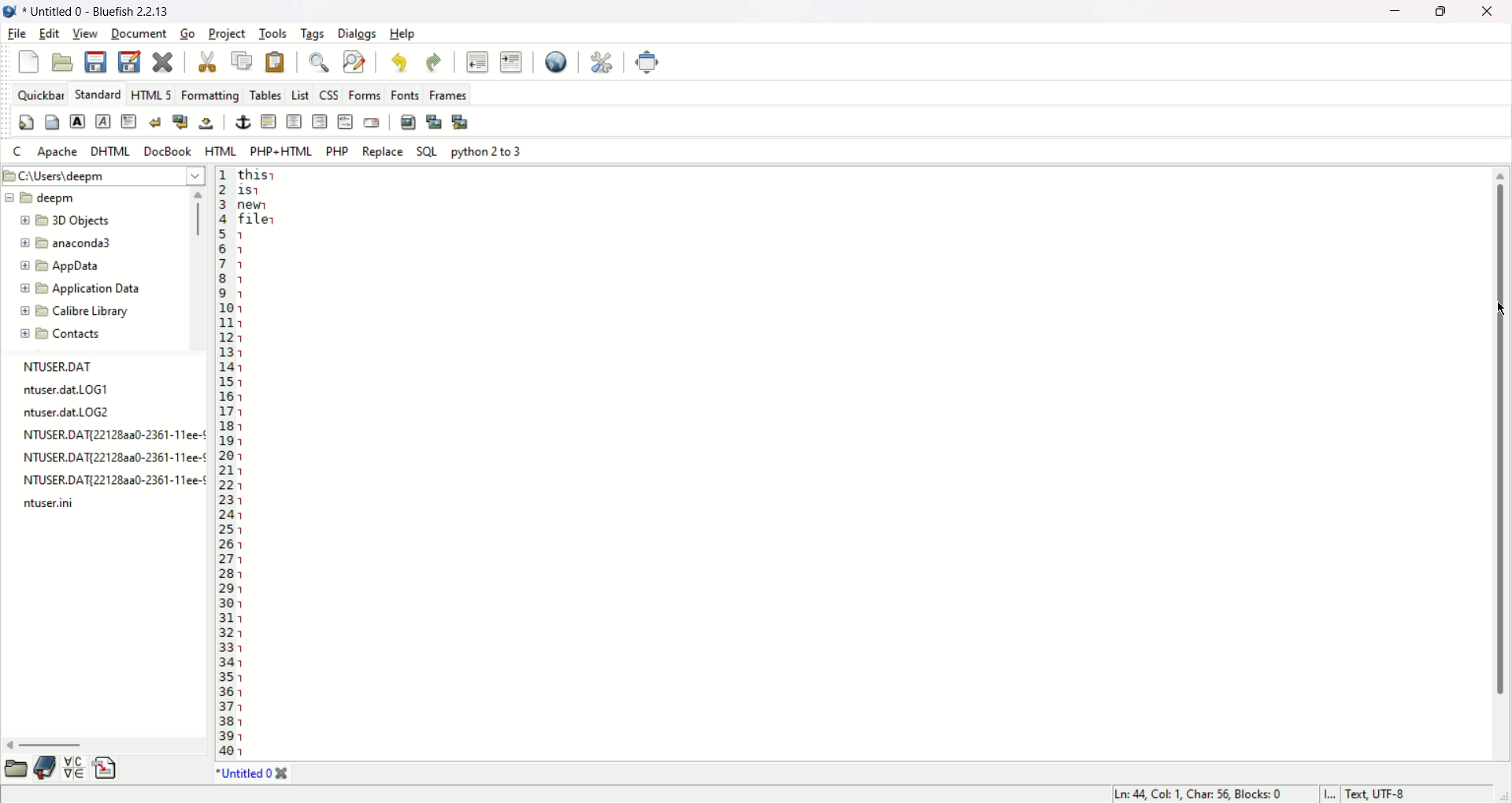  I want to click on file explorer, so click(14, 768).